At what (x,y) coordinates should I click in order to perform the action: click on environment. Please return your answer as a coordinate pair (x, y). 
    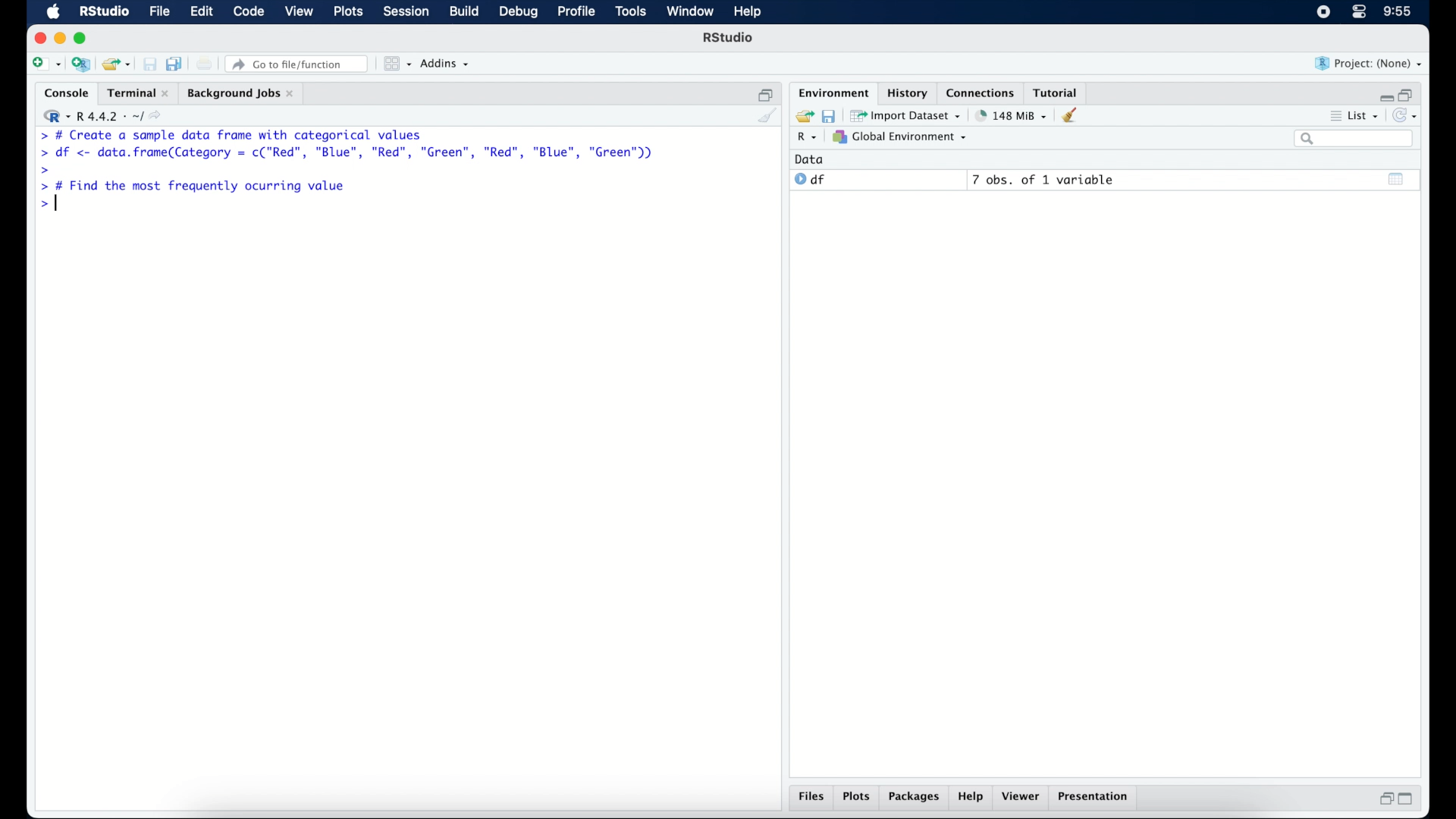
    Looking at the image, I should click on (833, 92).